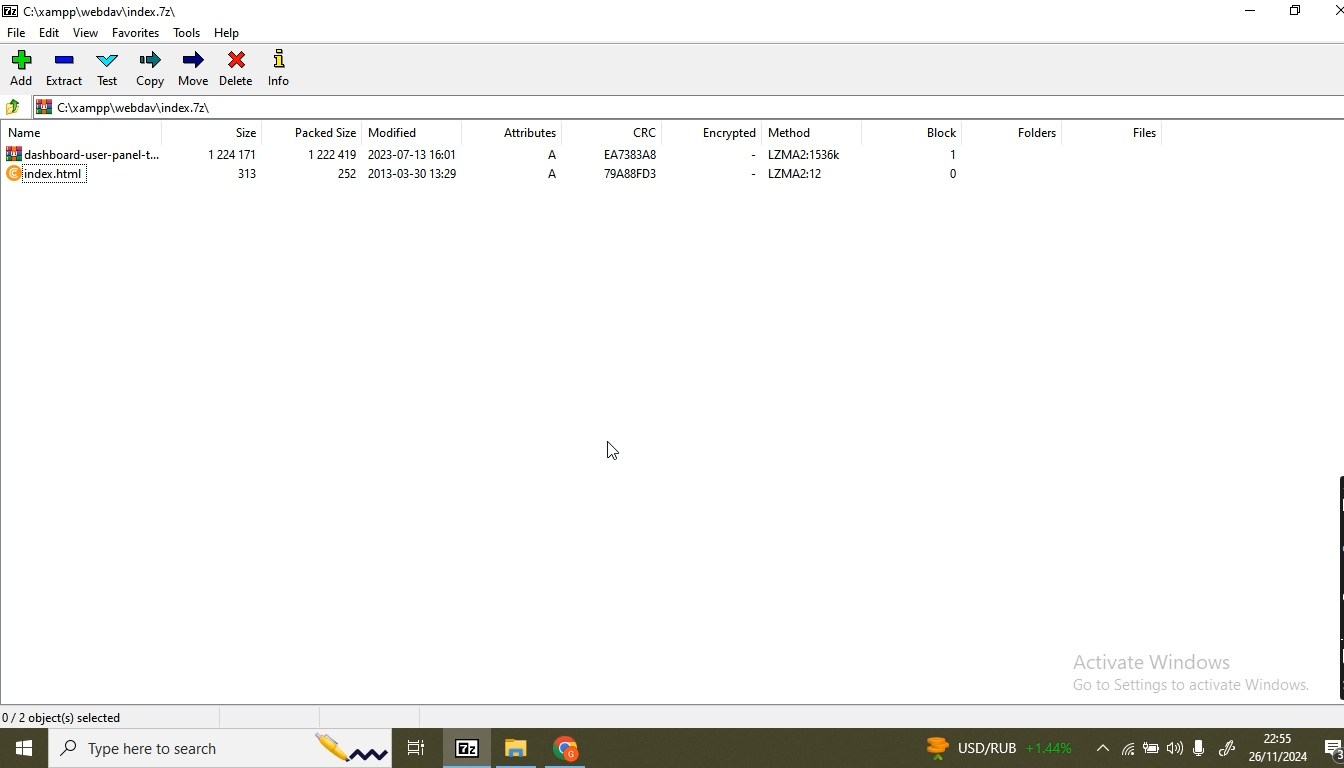 The width and height of the screenshot is (1344, 768). Describe the element at coordinates (96, 153) in the screenshot. I see `dashboard_user_panel_template` at that location.